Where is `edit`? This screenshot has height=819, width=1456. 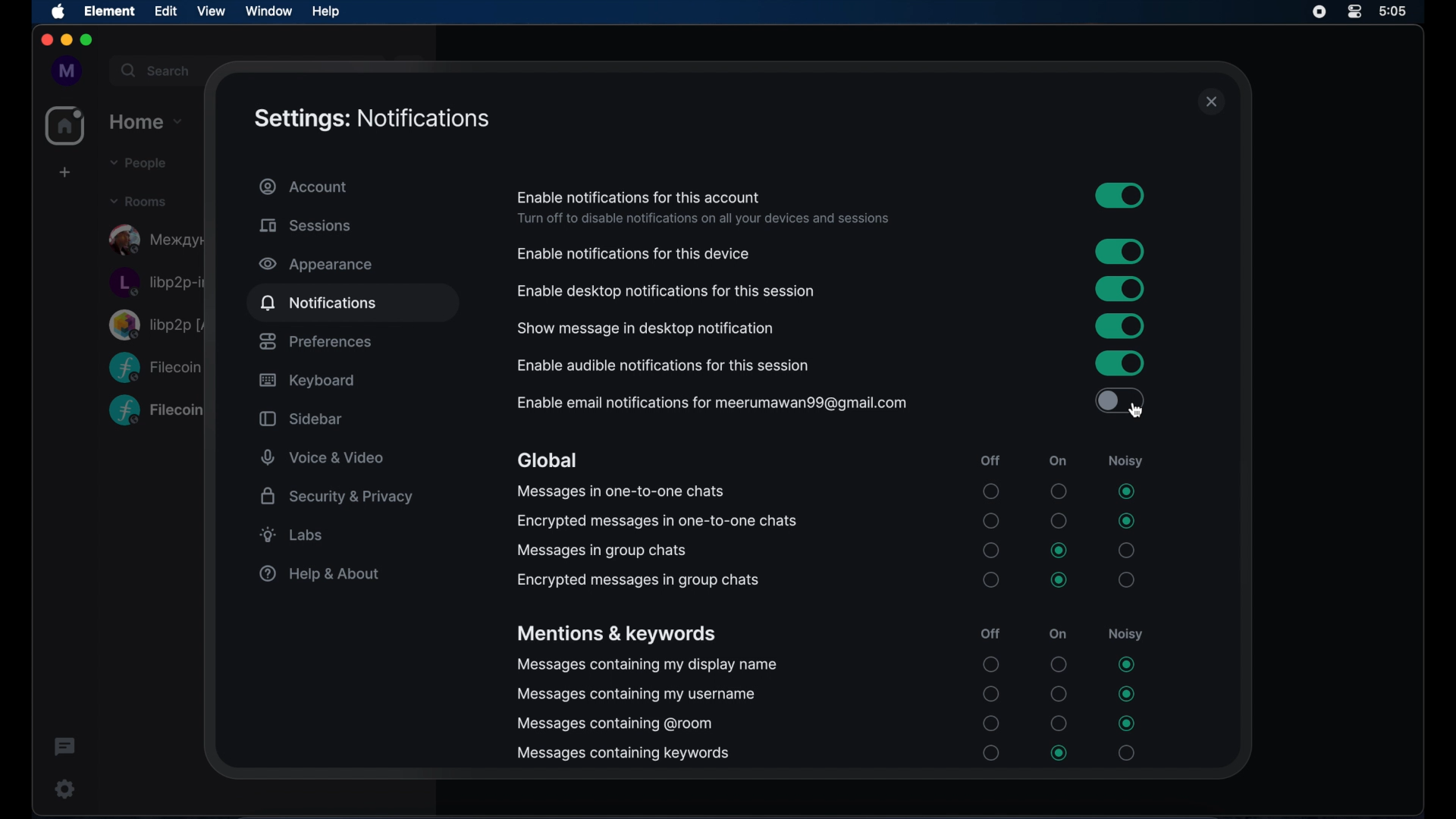 edit is located at coordinates (165, 11).